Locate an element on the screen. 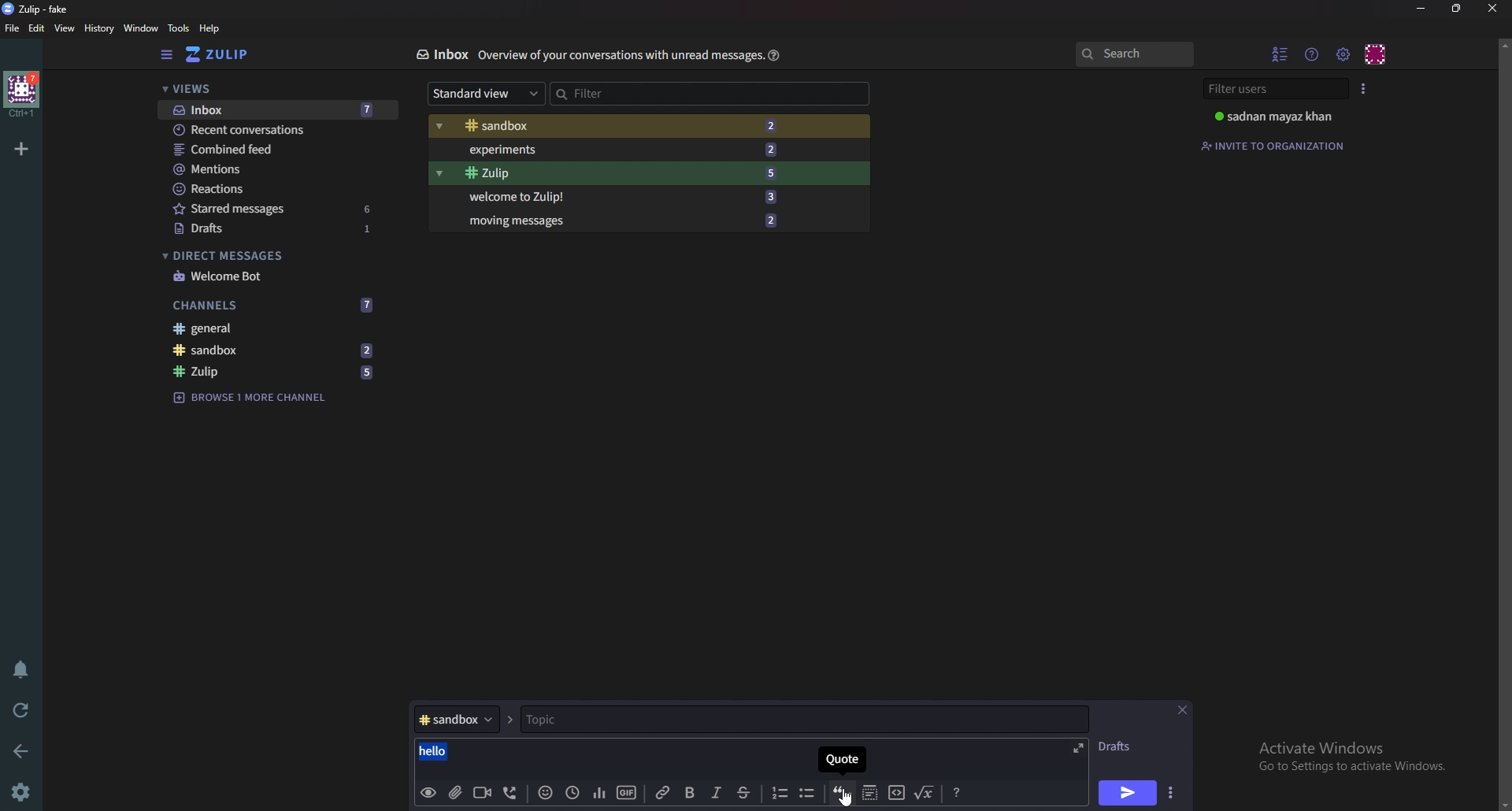 This screenshot has width=1512, height=811. Invite to organization is located at coordinates (1278, 145).